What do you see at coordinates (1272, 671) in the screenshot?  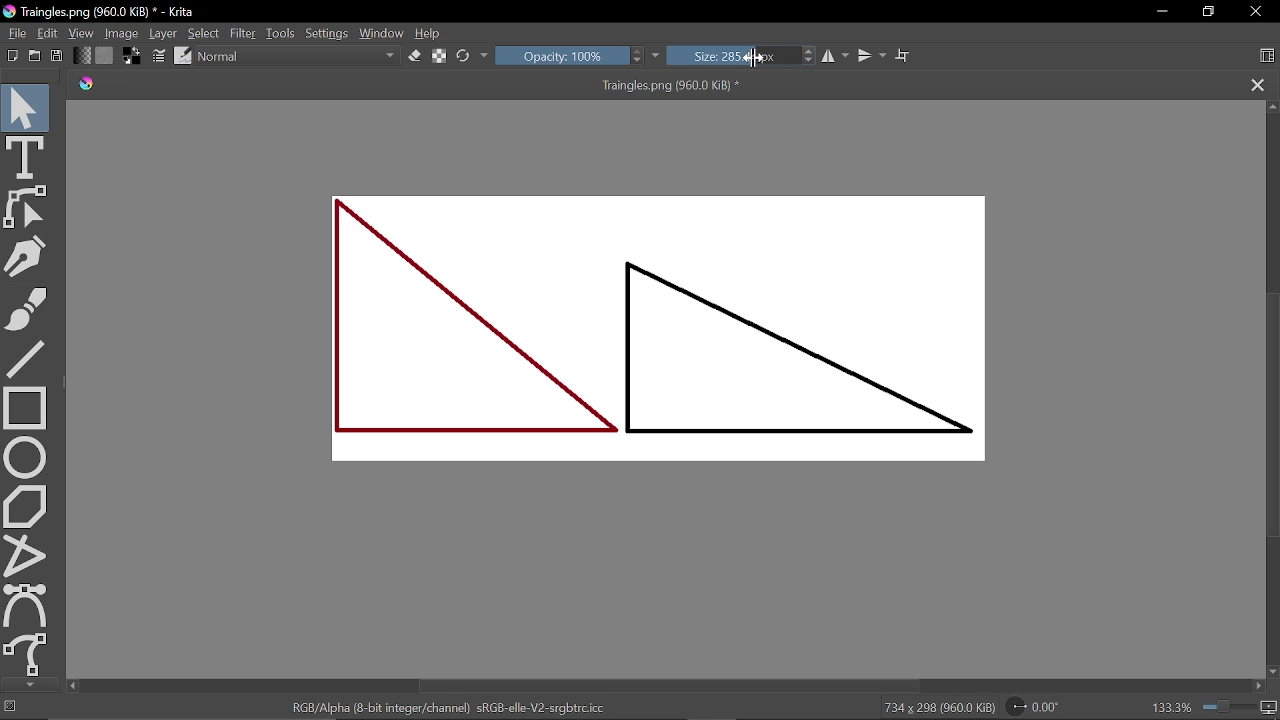 I see `Move down` at bounding box center [1272, 671].